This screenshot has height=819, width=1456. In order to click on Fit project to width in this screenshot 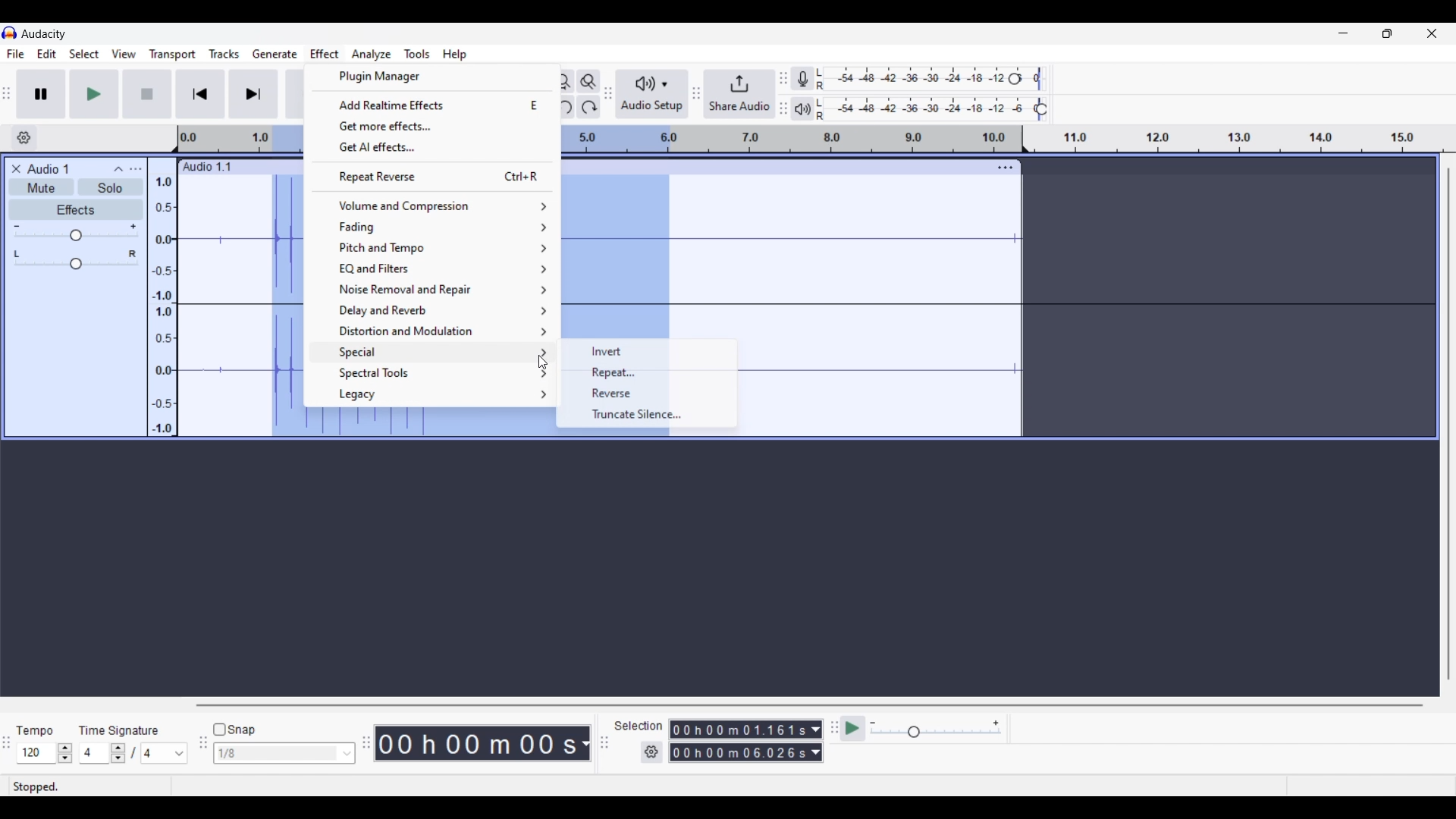, I will do `click(563, 81)`.